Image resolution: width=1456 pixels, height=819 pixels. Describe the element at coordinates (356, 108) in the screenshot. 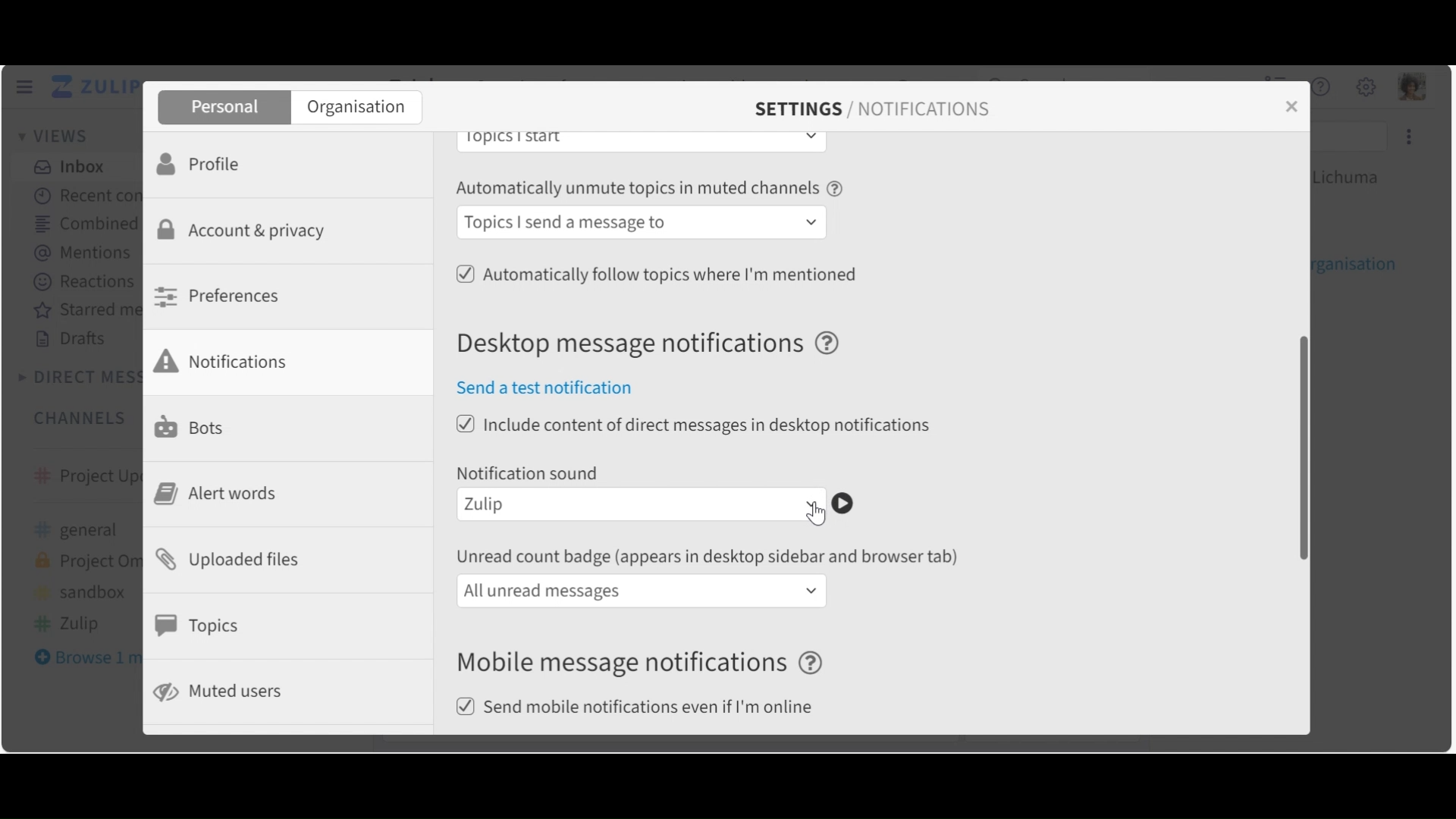

I see `Organisation` at that location.